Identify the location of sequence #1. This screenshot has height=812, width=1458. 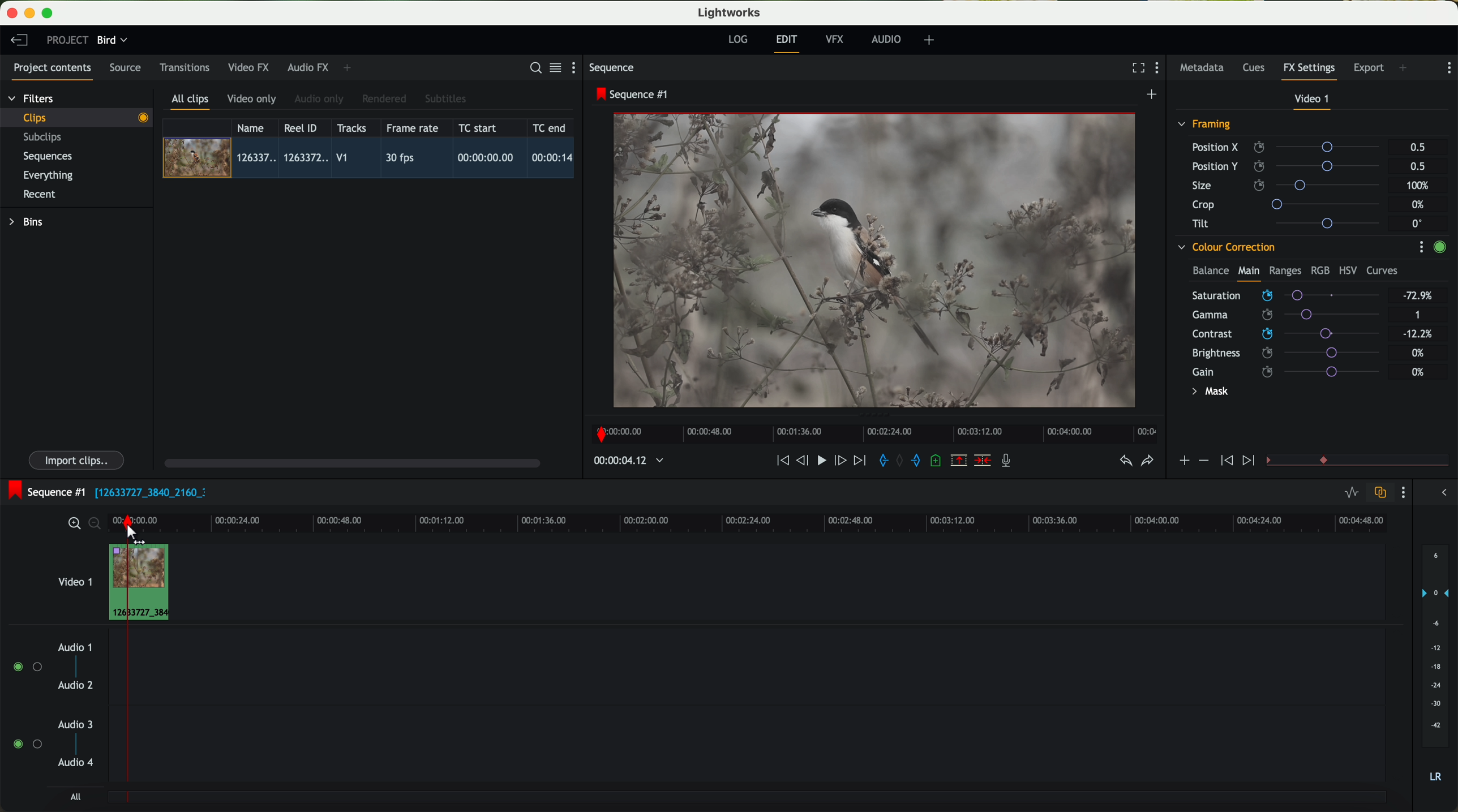
(44, 492).